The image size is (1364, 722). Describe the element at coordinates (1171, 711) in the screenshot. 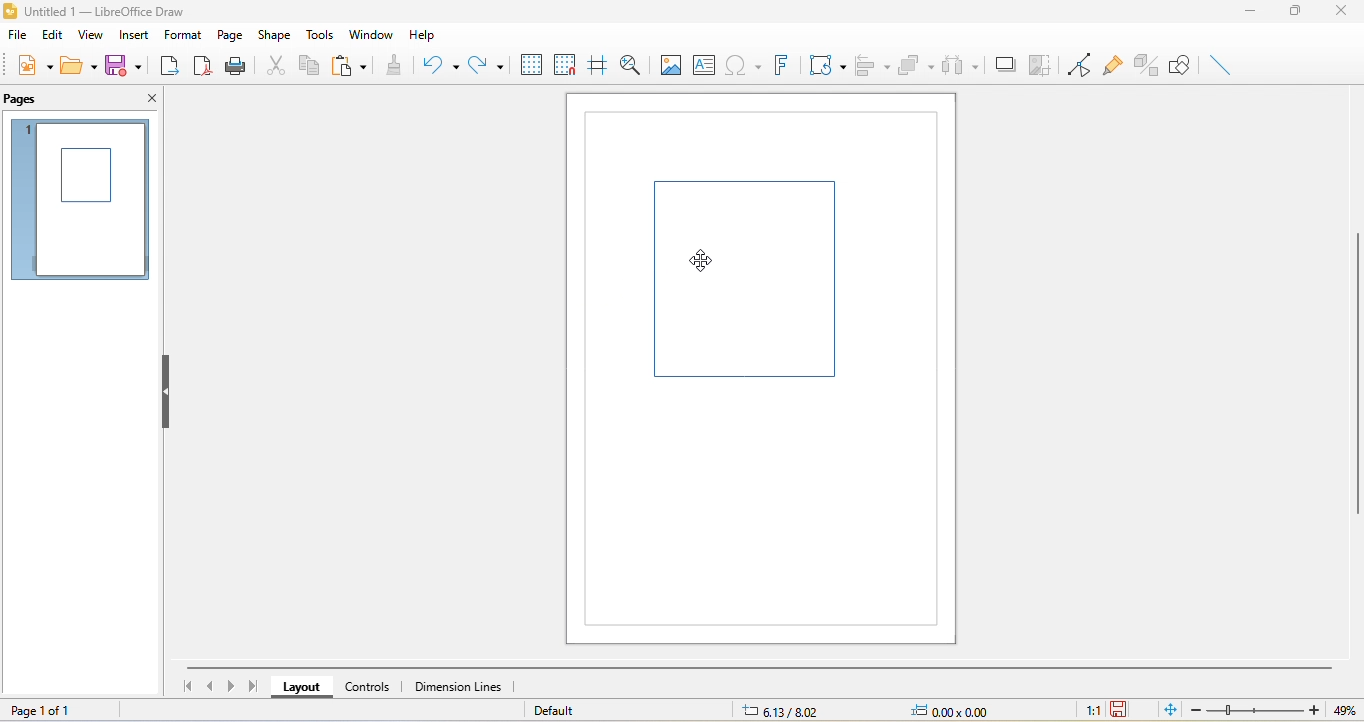

I see `fit to the current window` at that location.